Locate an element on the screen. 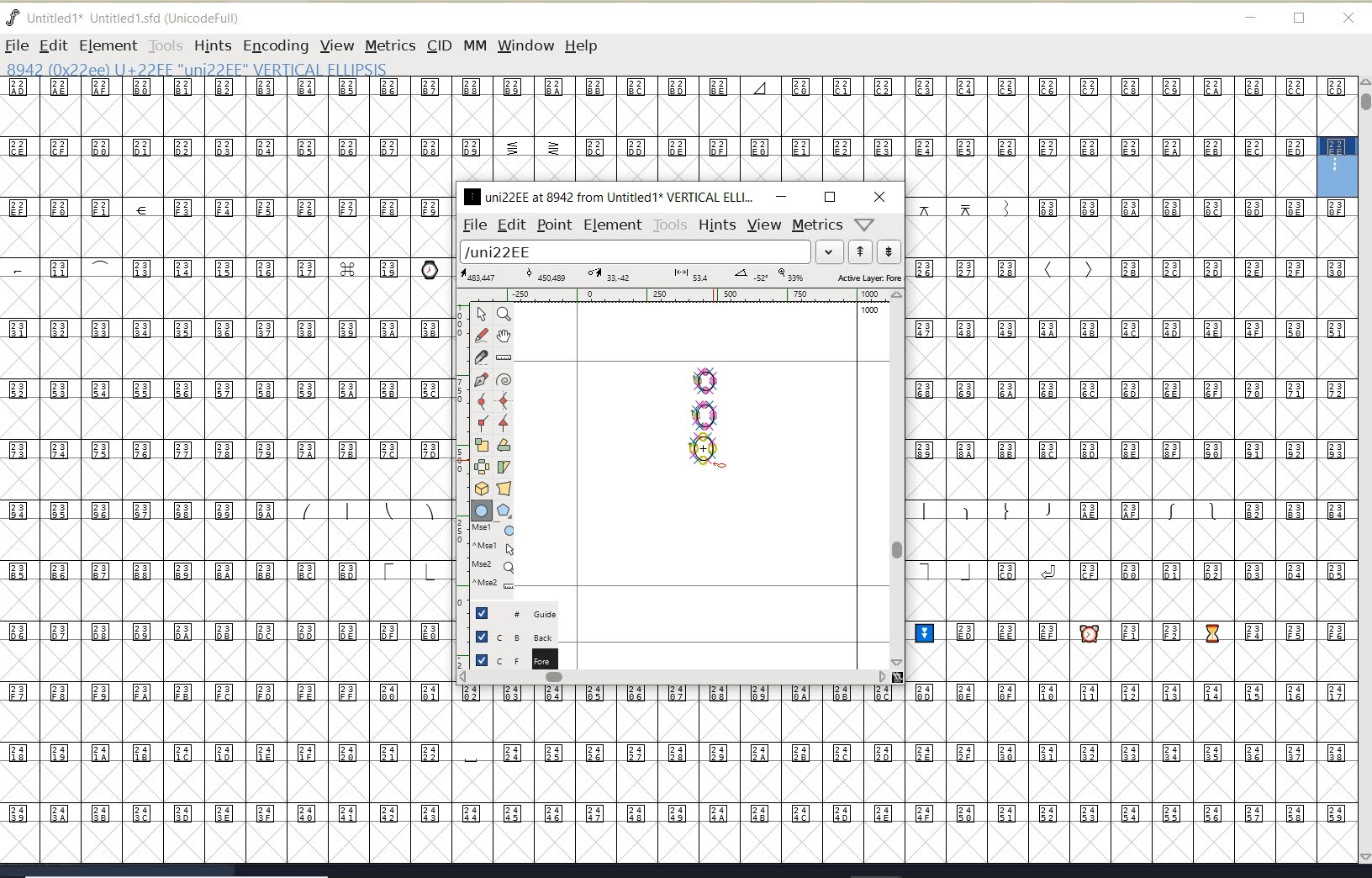 This screenshot has height=878, width=1372. scale the selection is located at coordinates (482, 445).